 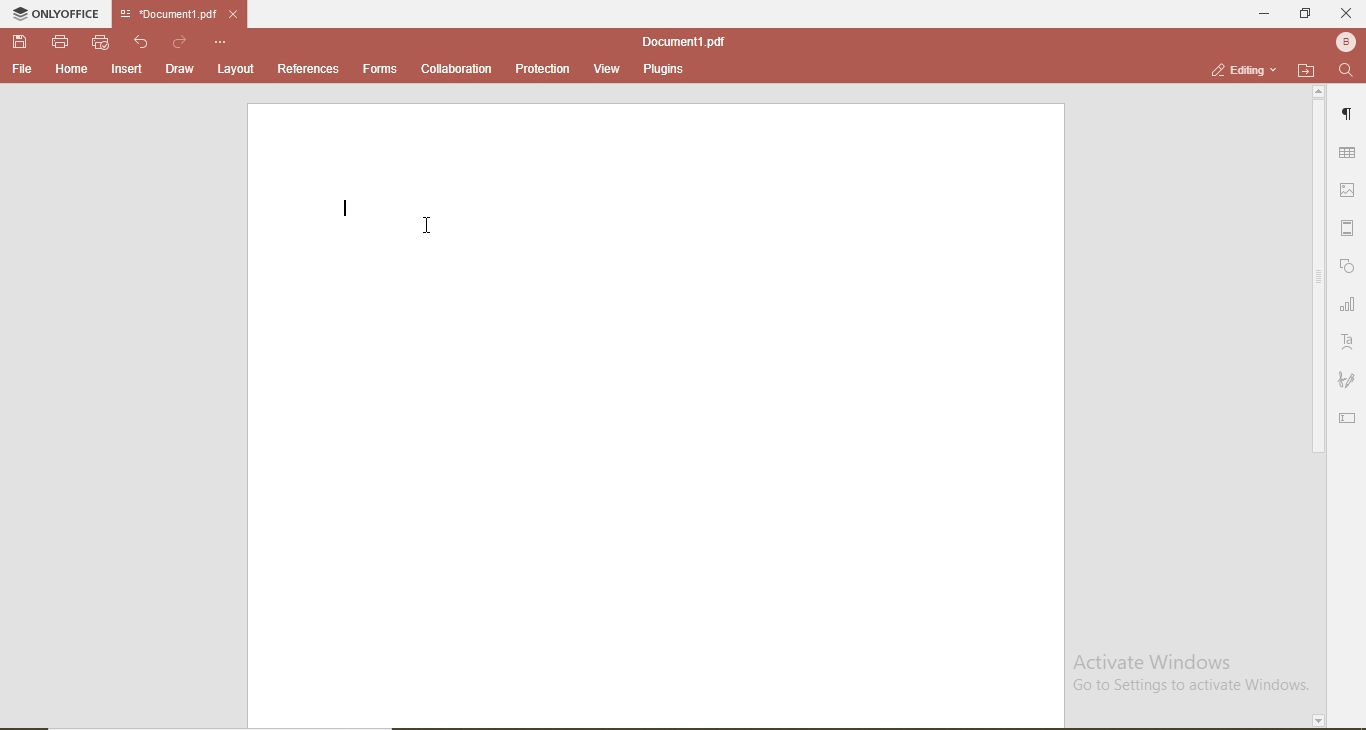 What do you see at coordinates (1349, 73) in the screenshot?
I see `search` at bounding box center [1349, 73].